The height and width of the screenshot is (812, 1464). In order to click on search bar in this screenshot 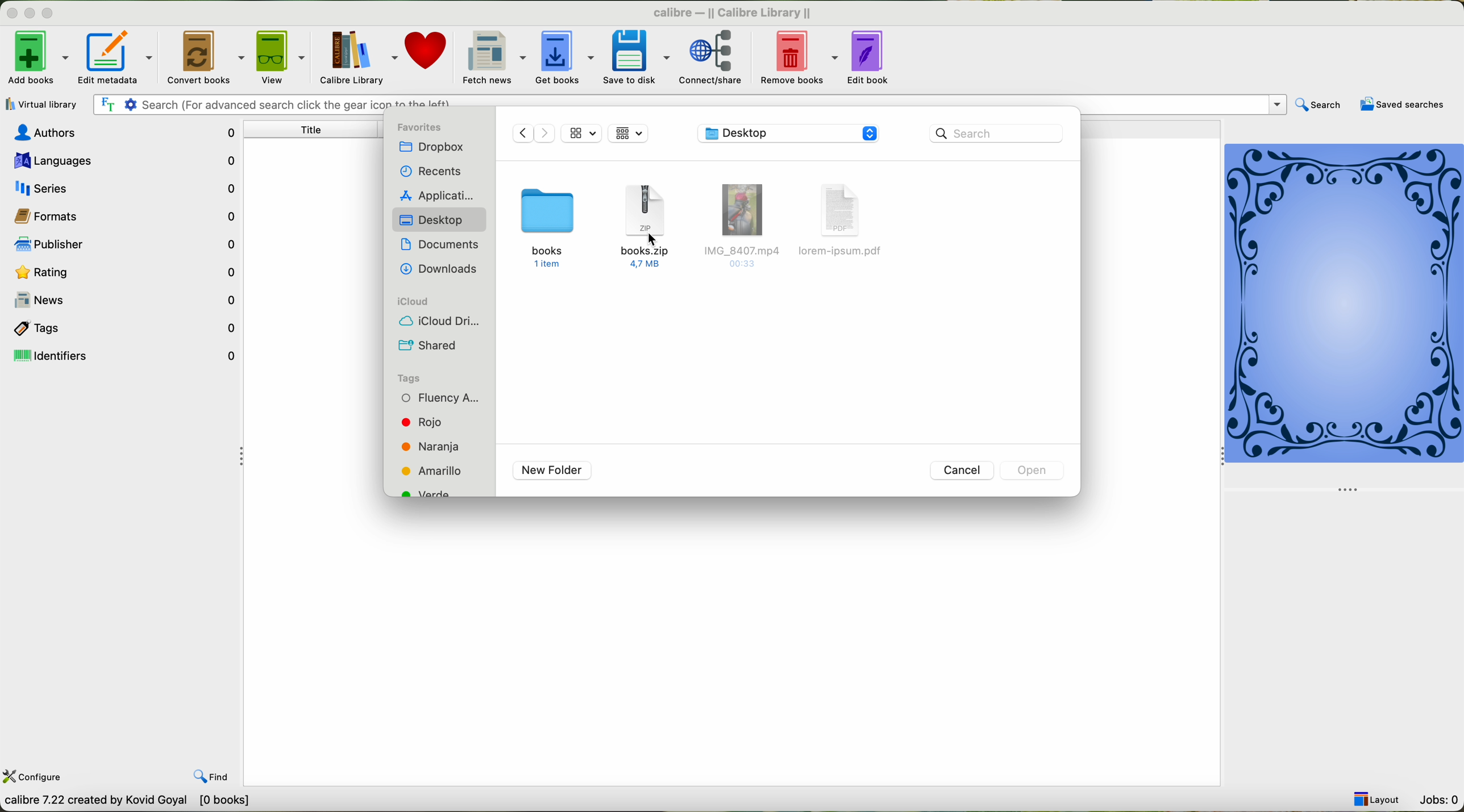, I will do `click(689, 104)`.